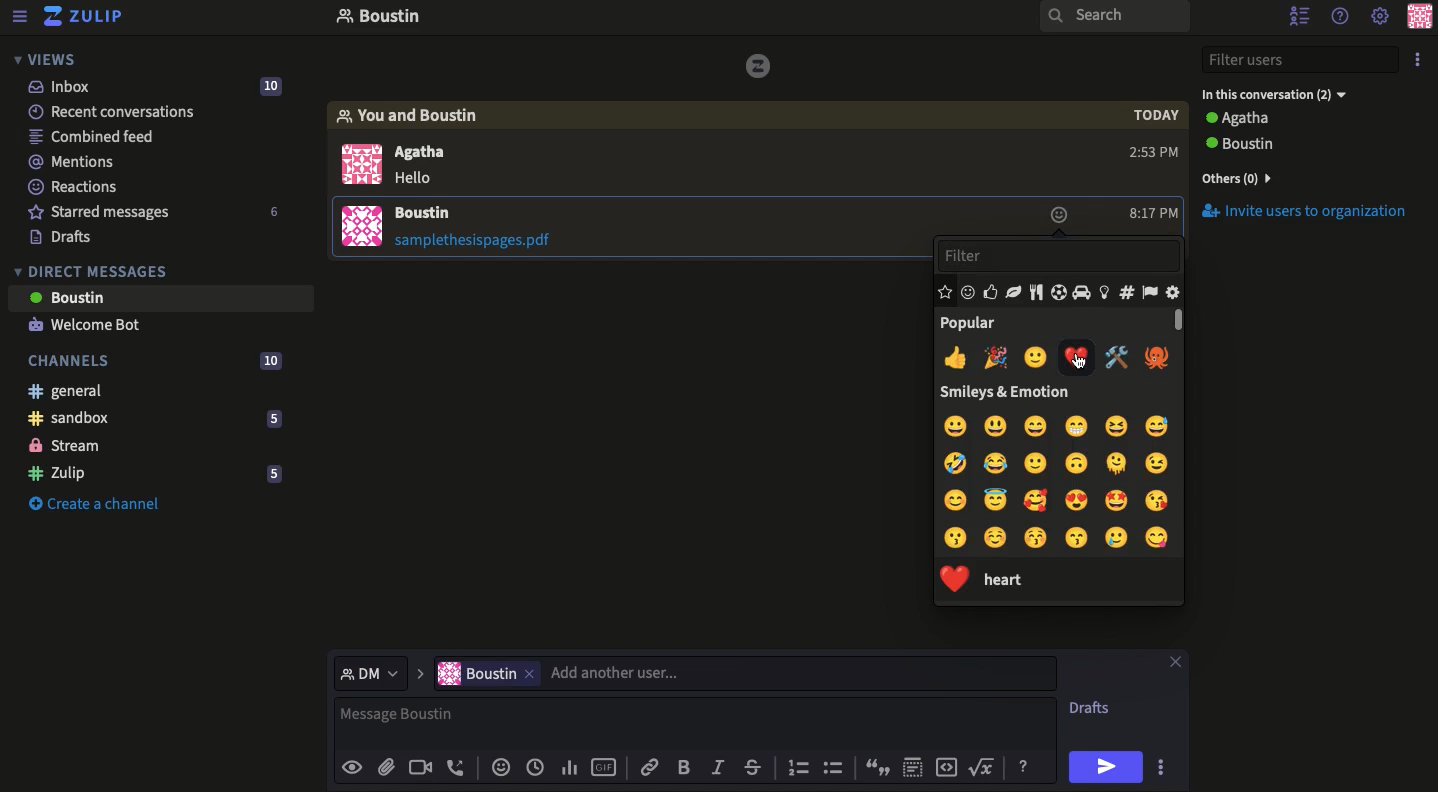 Image resolution: width=1438 pixels, height=792 pixels. What do you see at coordinates (418, 766) in the screenshot?
I see `Video` at bounding box center [418, 766].